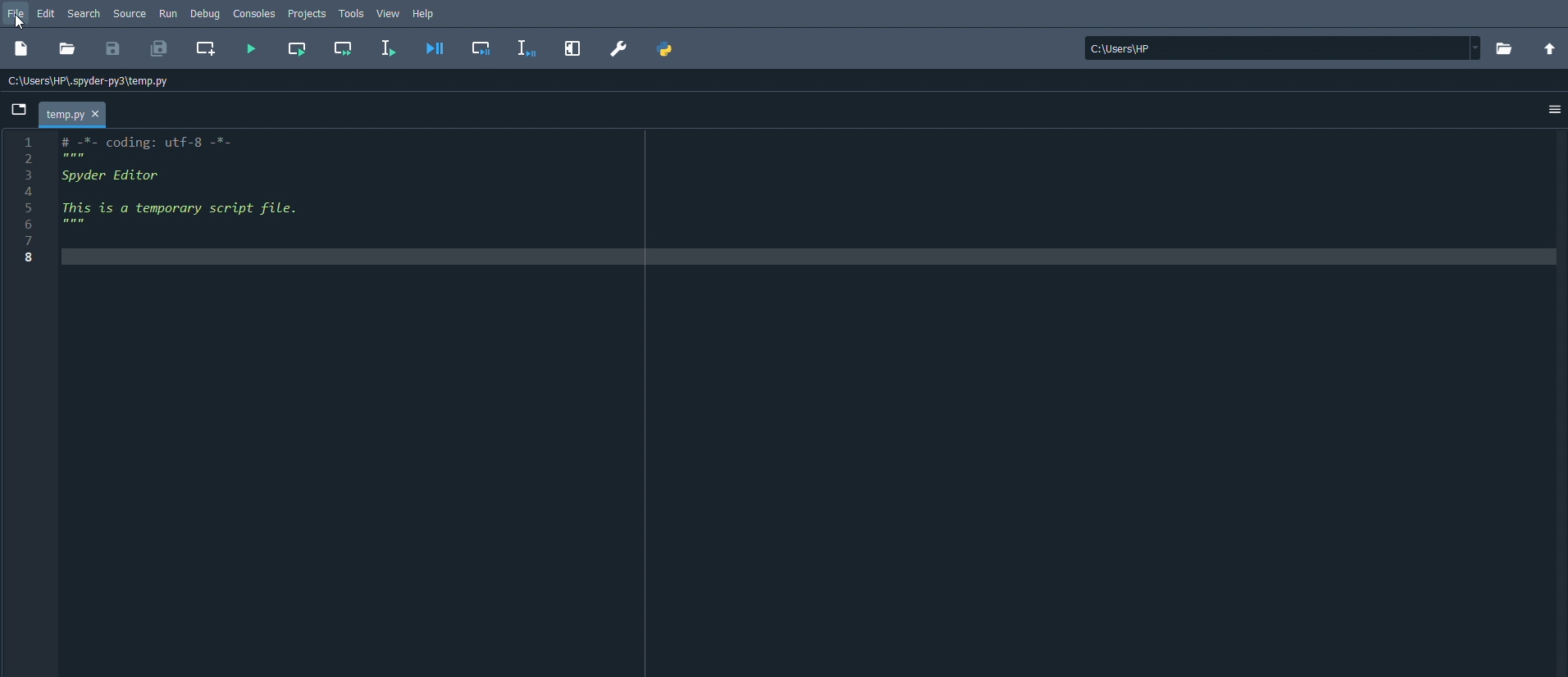 The width and height of the screenshot is (1568, 677). I want to click on Options, so click(1555, 111).